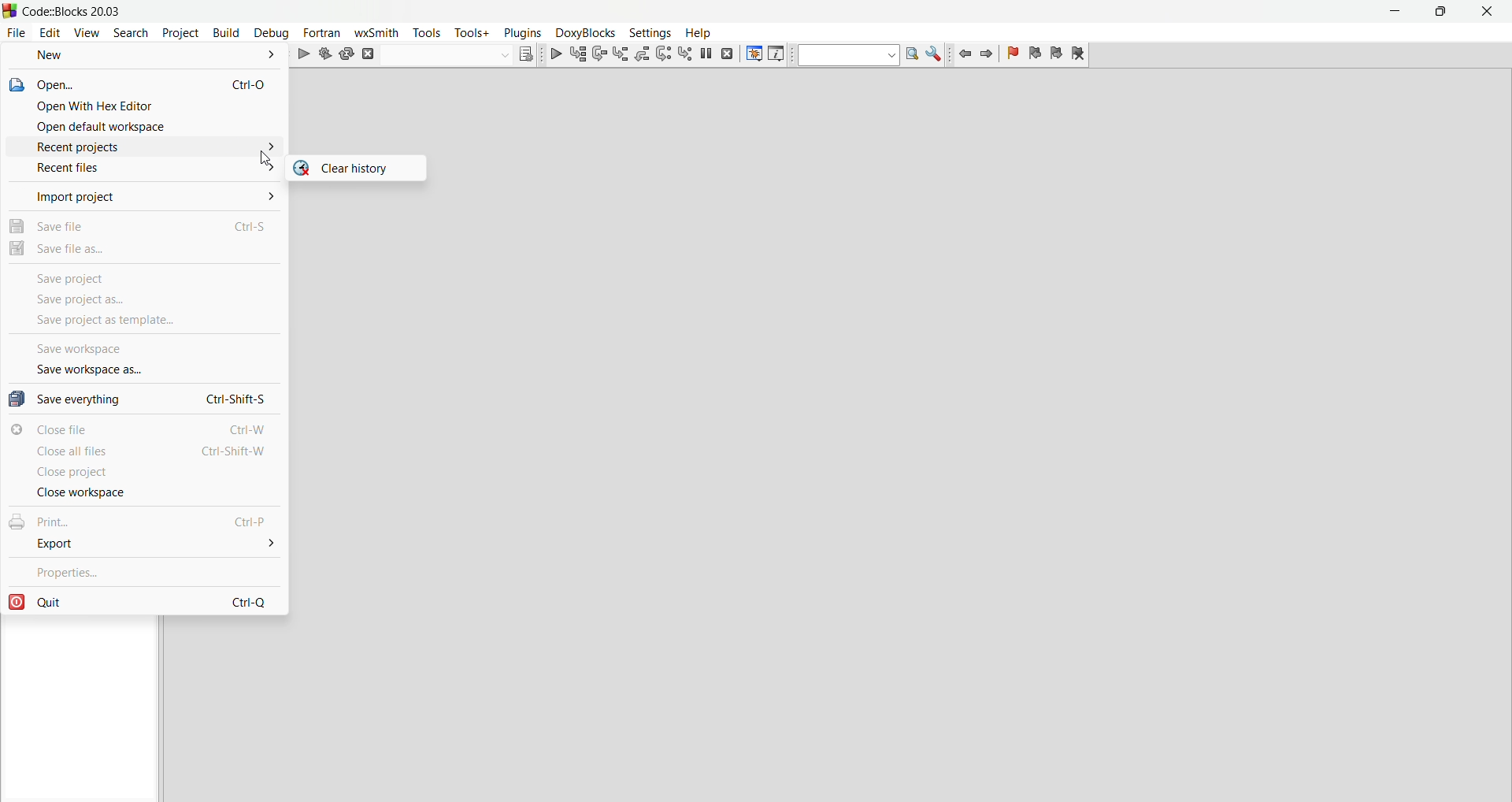 This screenshot has height=802, width=1512. What do you see at coordinates (145, 81) in the screenshot?
I see `open` at bounding box center [145, 81].